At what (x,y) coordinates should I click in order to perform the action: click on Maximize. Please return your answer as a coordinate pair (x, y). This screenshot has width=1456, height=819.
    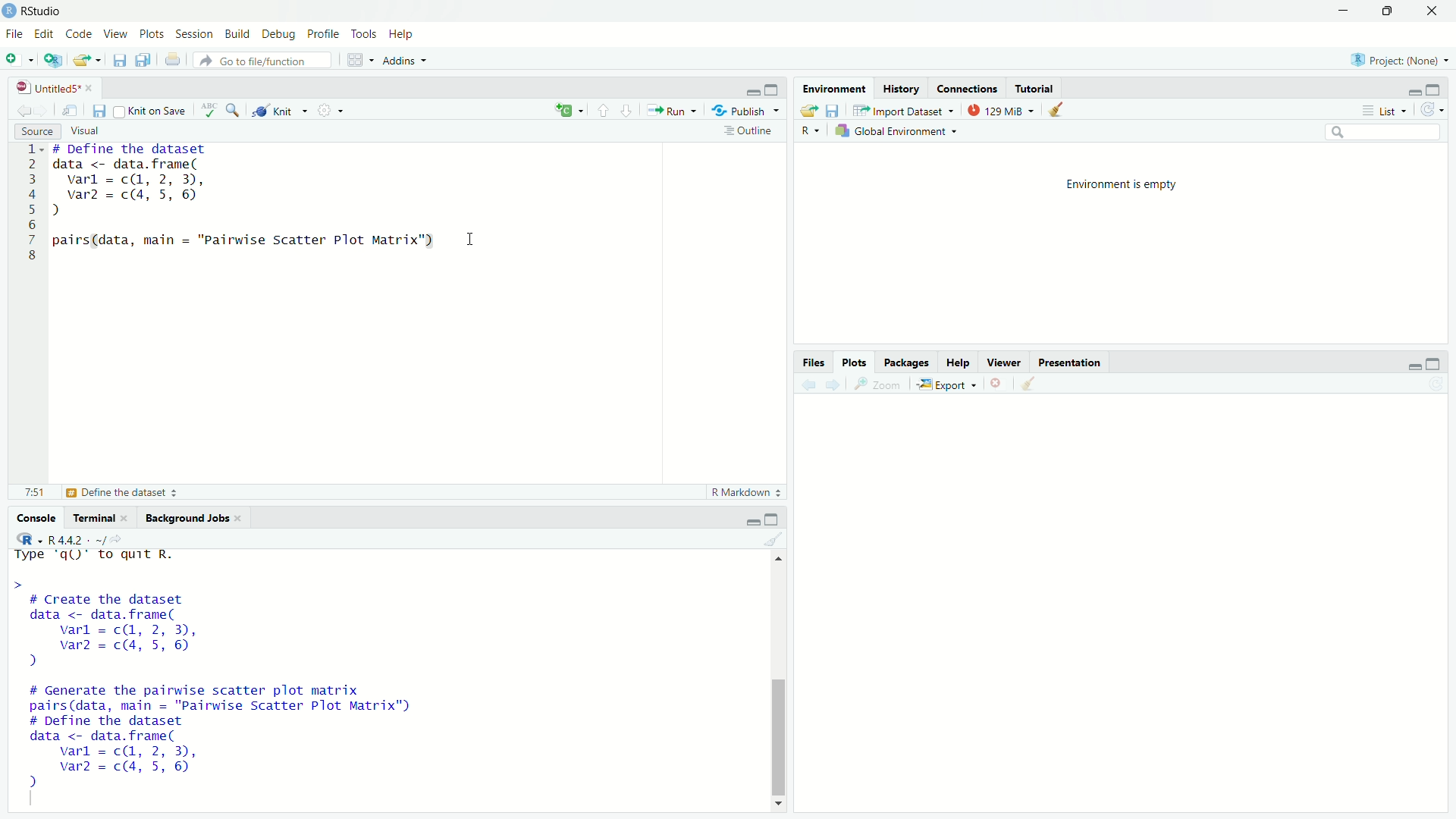
    Looking at the image, I should click on (772, 89).